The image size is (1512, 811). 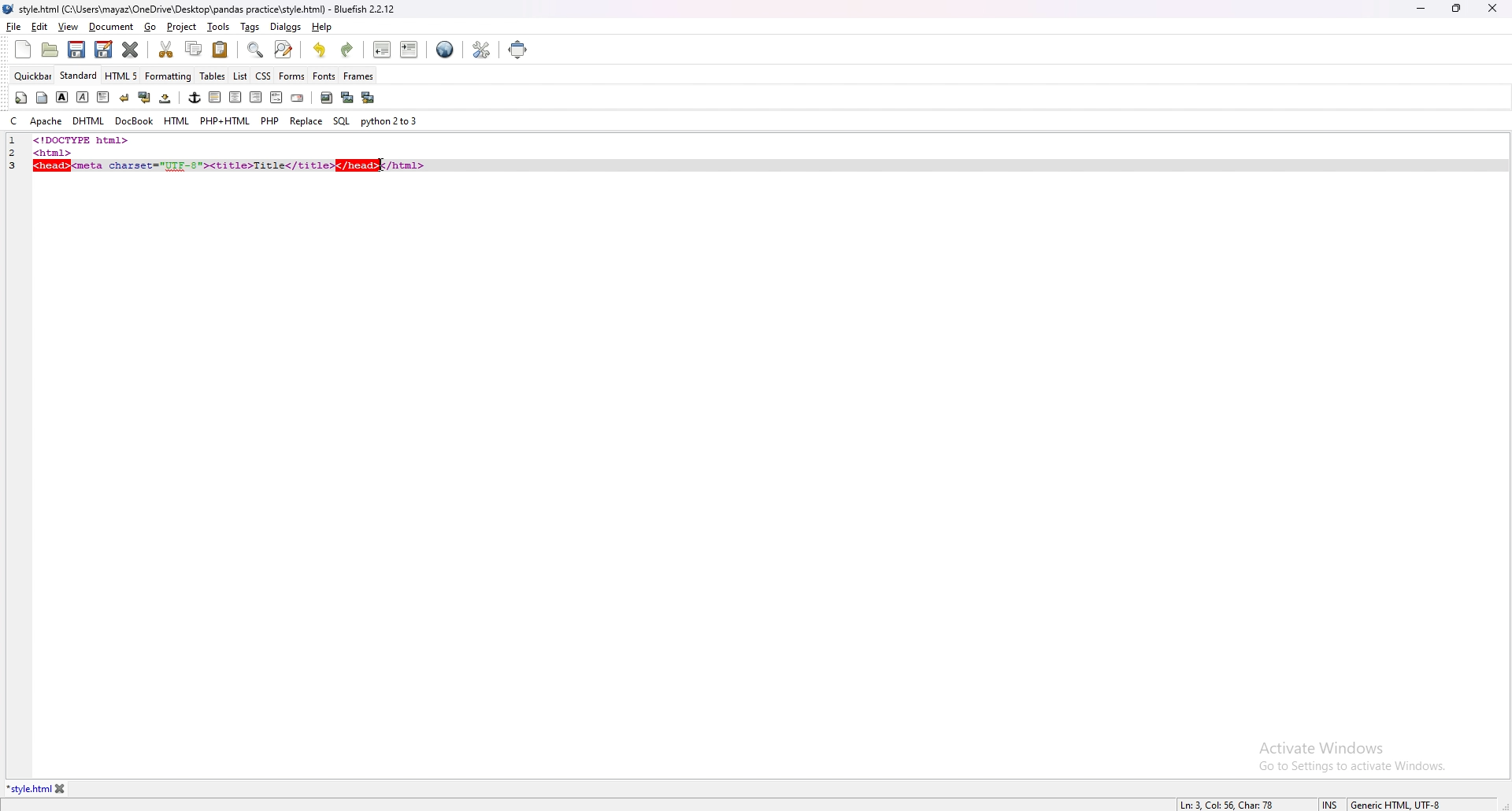 I want to click on insert thumbnail, so click(x=346, y=98).